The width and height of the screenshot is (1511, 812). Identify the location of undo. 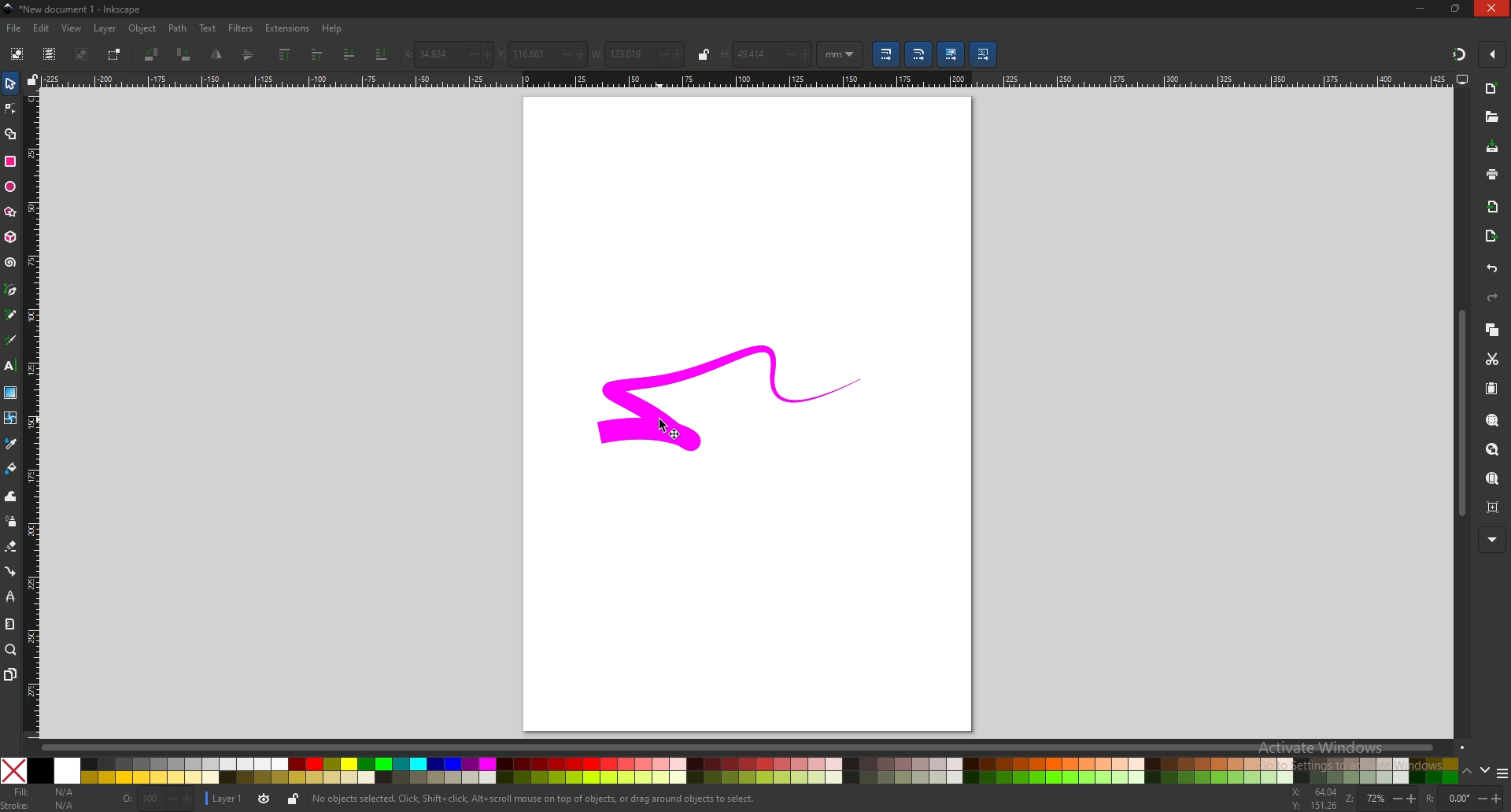
(1493, 269).